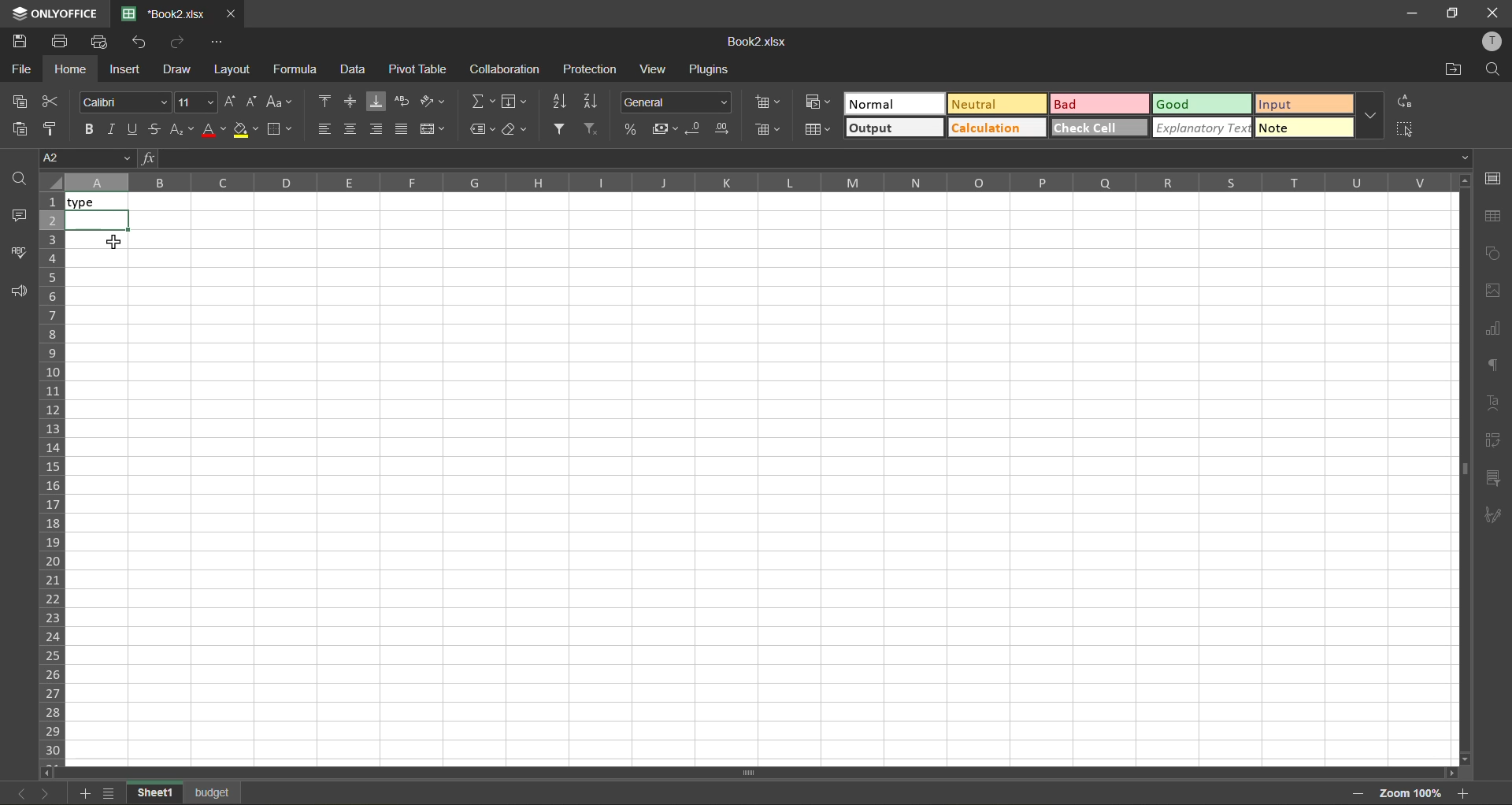  I want to click on sub/superscript, so click(183, 130).